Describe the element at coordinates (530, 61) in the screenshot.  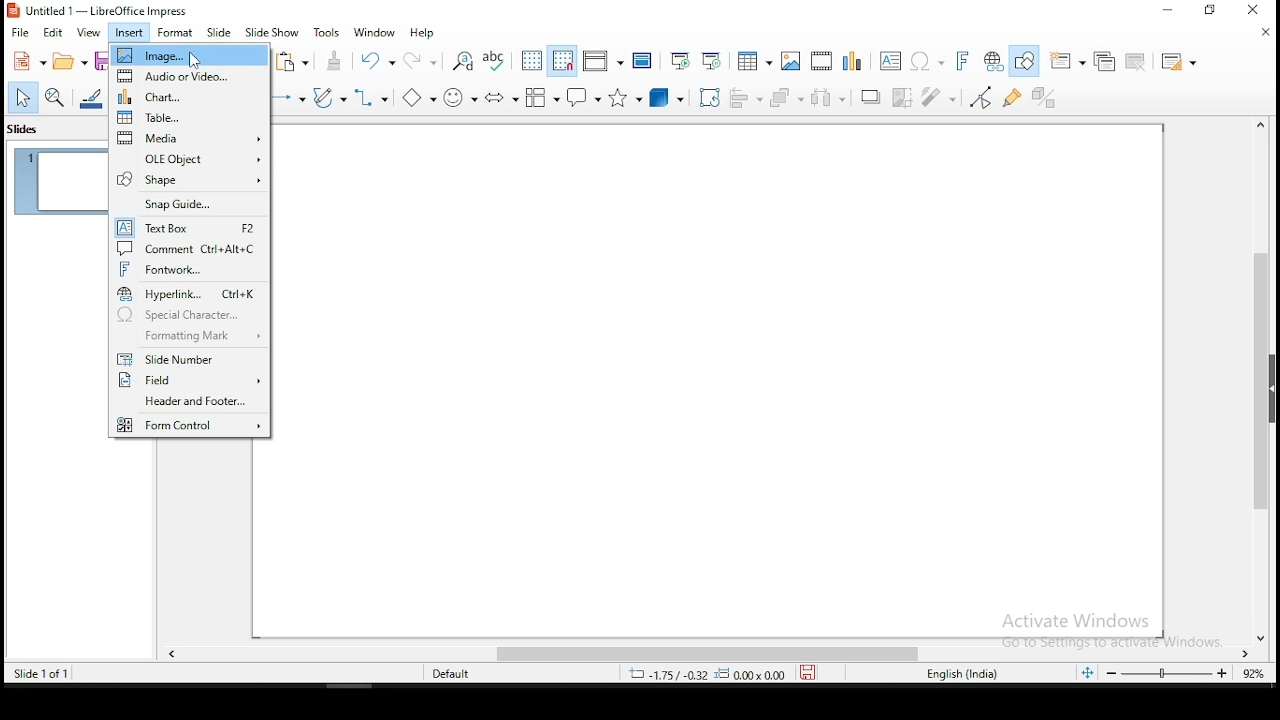
I see `display grid` at that location.